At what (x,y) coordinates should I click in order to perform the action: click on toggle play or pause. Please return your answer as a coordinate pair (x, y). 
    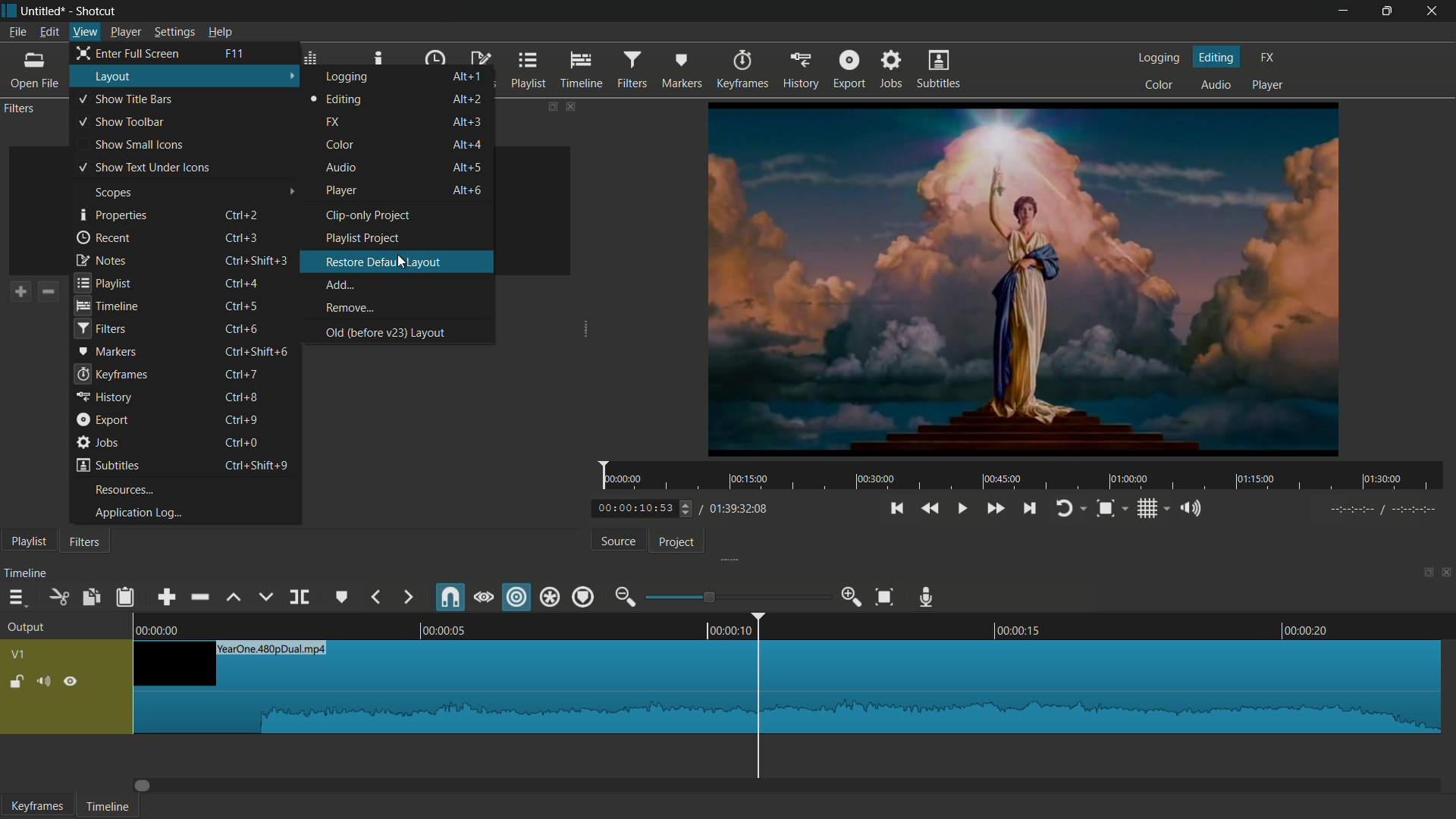
    Looking at the image, I should click on (961, 509).